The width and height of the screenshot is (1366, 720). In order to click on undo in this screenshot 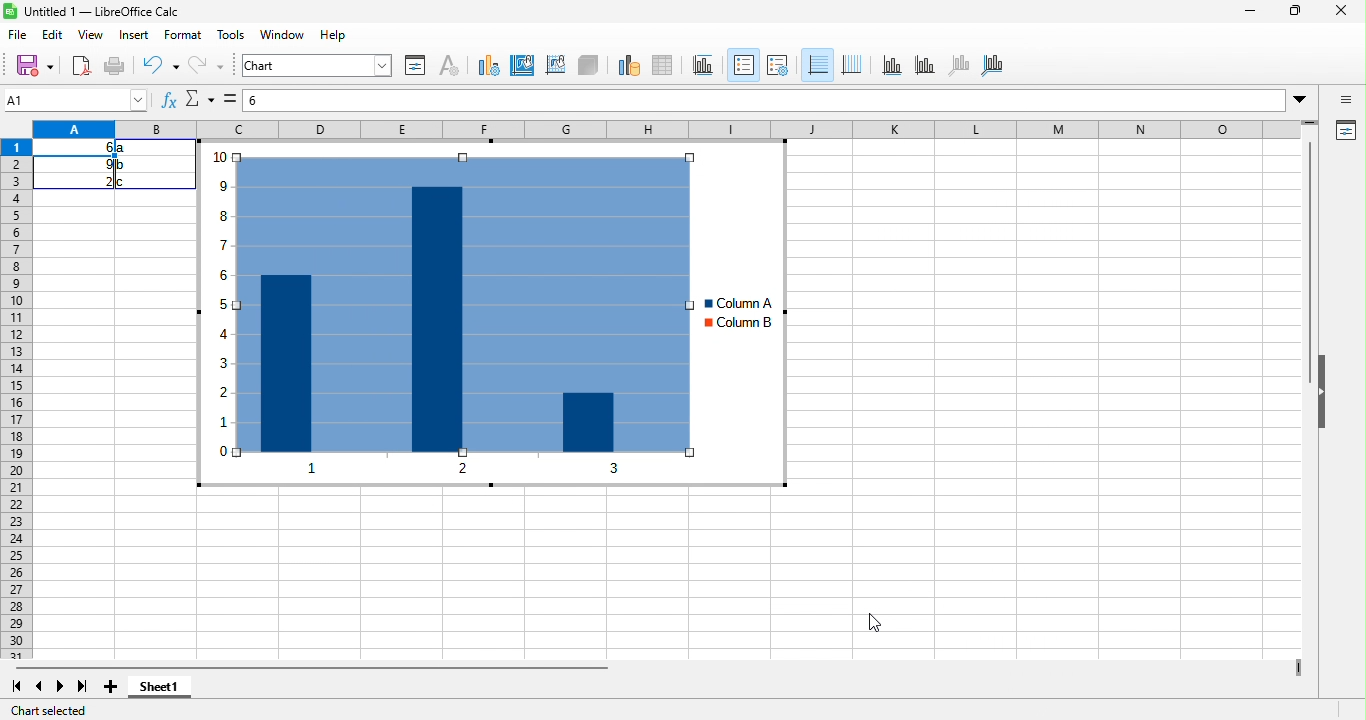, I will do `click(155, 65)`.